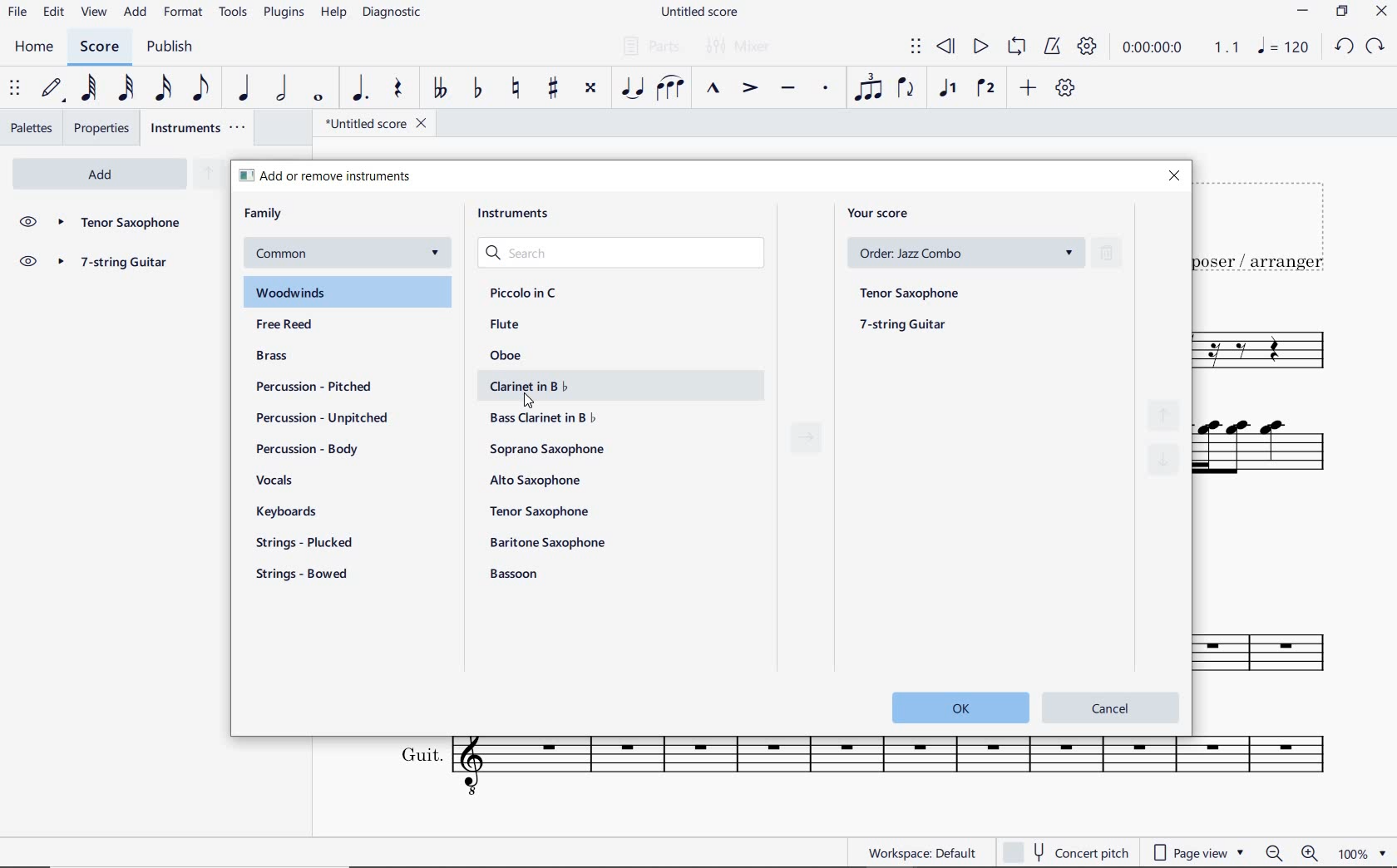 The image size is (1397, 868). Describe the element at coordinates (1085, 47) in the screenshot. I see `PLAYBACK SETTINGS` at that location.